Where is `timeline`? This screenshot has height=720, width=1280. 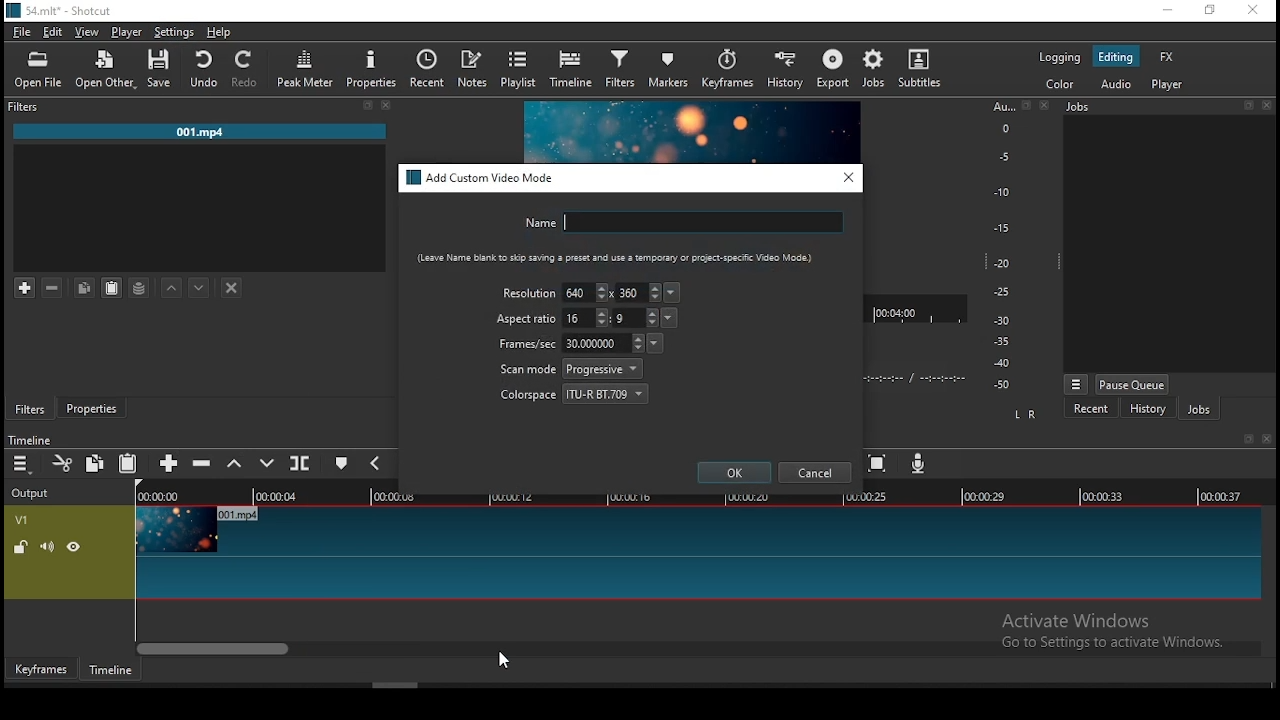
timeline is located at coordinates (29, 440).